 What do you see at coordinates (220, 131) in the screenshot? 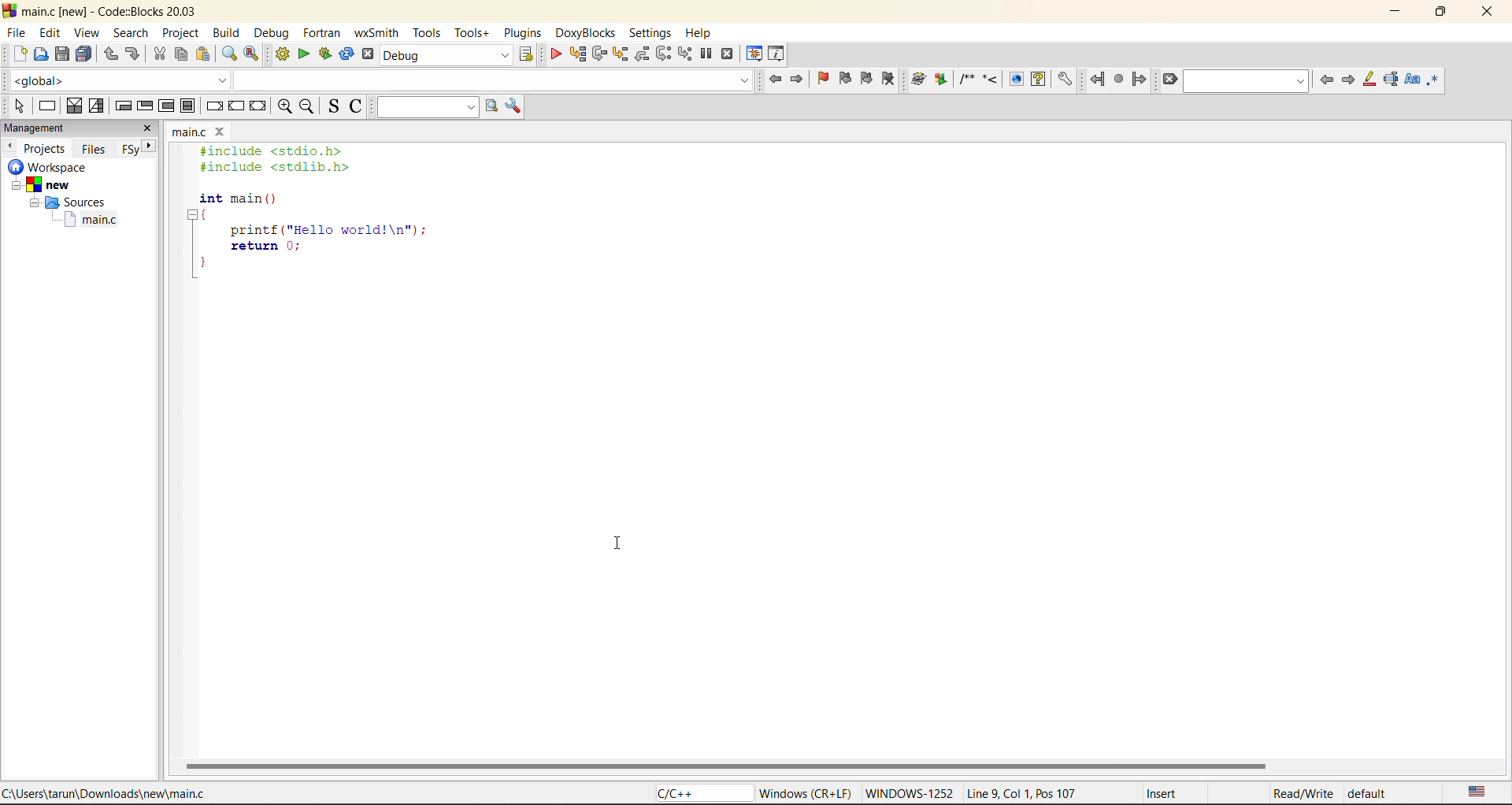
I see `close` at bounding box center [220, 131].